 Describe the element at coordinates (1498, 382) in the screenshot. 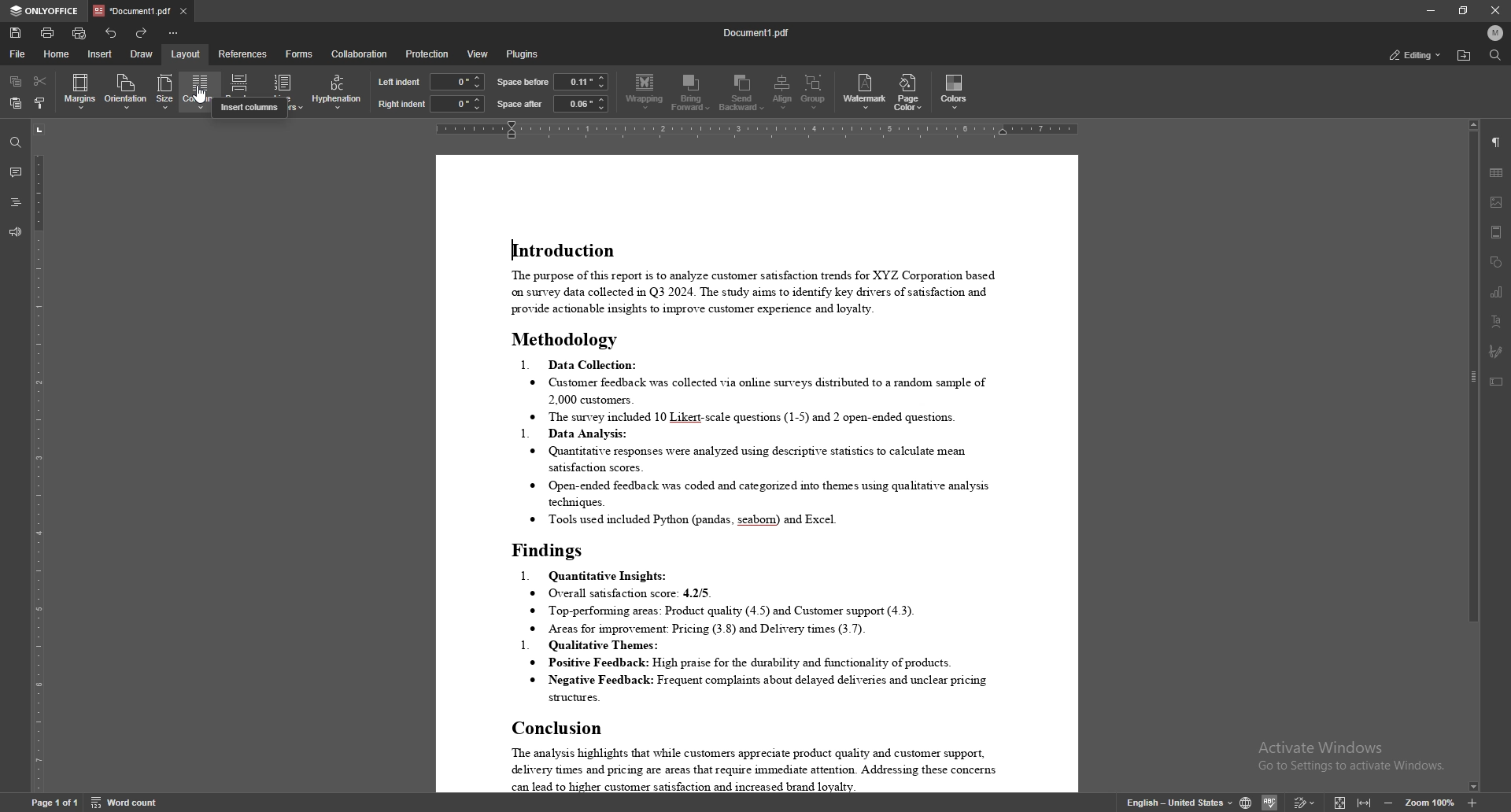

I see `text box` at that location.